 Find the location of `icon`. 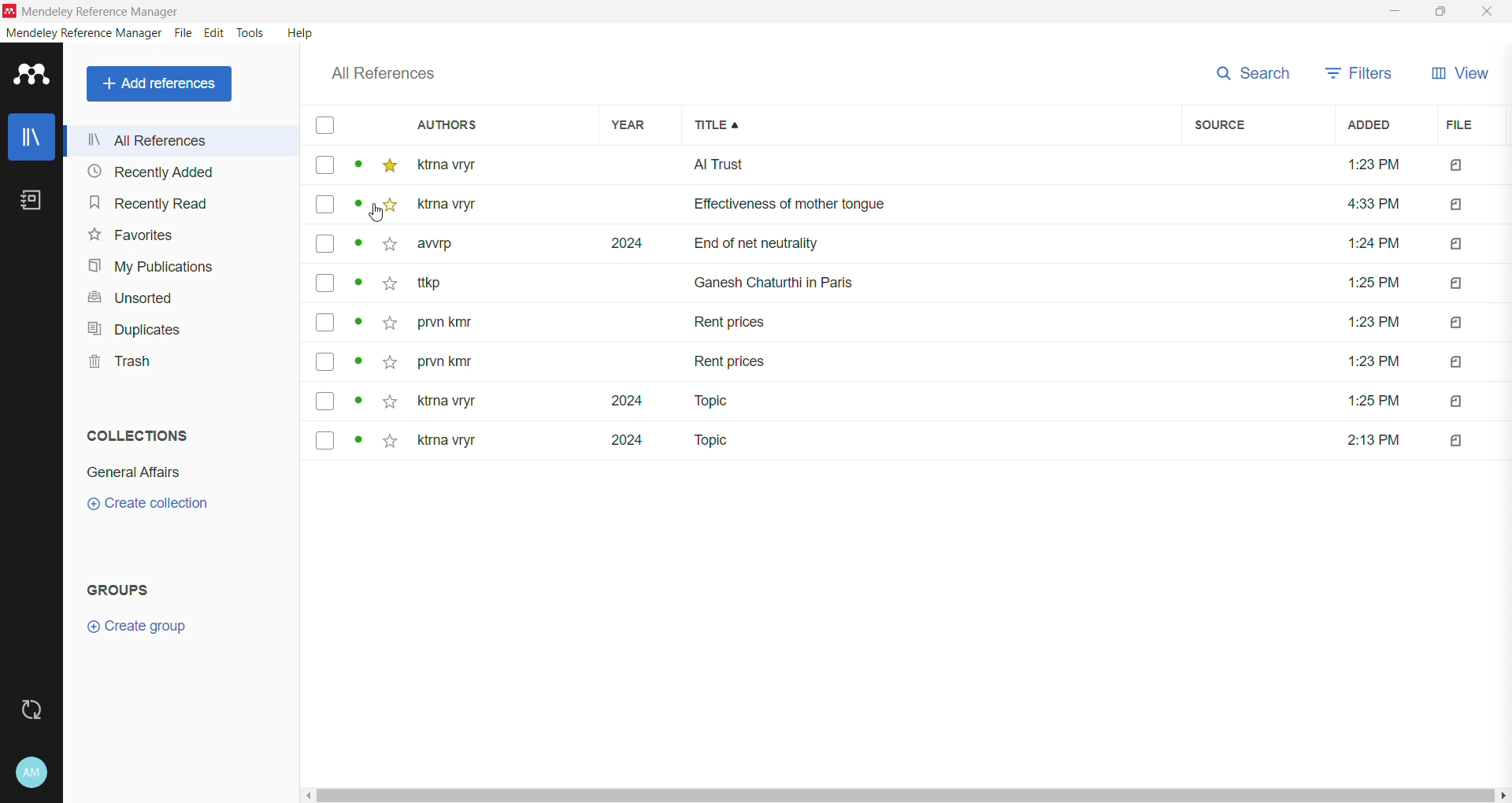

icon is located at coordinates (1457, 284).